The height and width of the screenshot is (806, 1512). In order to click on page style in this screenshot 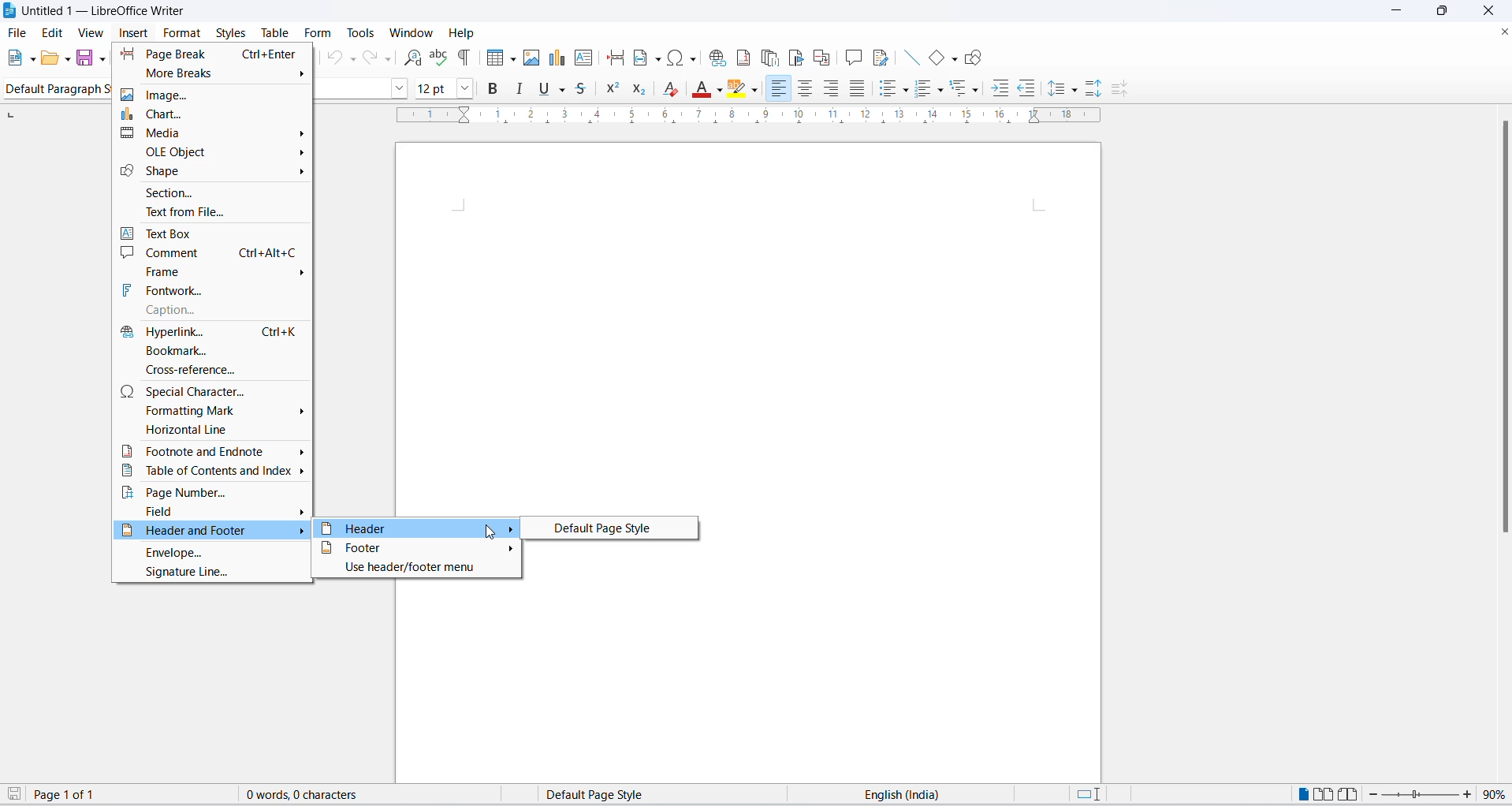, I will do `click(605, 794)`.